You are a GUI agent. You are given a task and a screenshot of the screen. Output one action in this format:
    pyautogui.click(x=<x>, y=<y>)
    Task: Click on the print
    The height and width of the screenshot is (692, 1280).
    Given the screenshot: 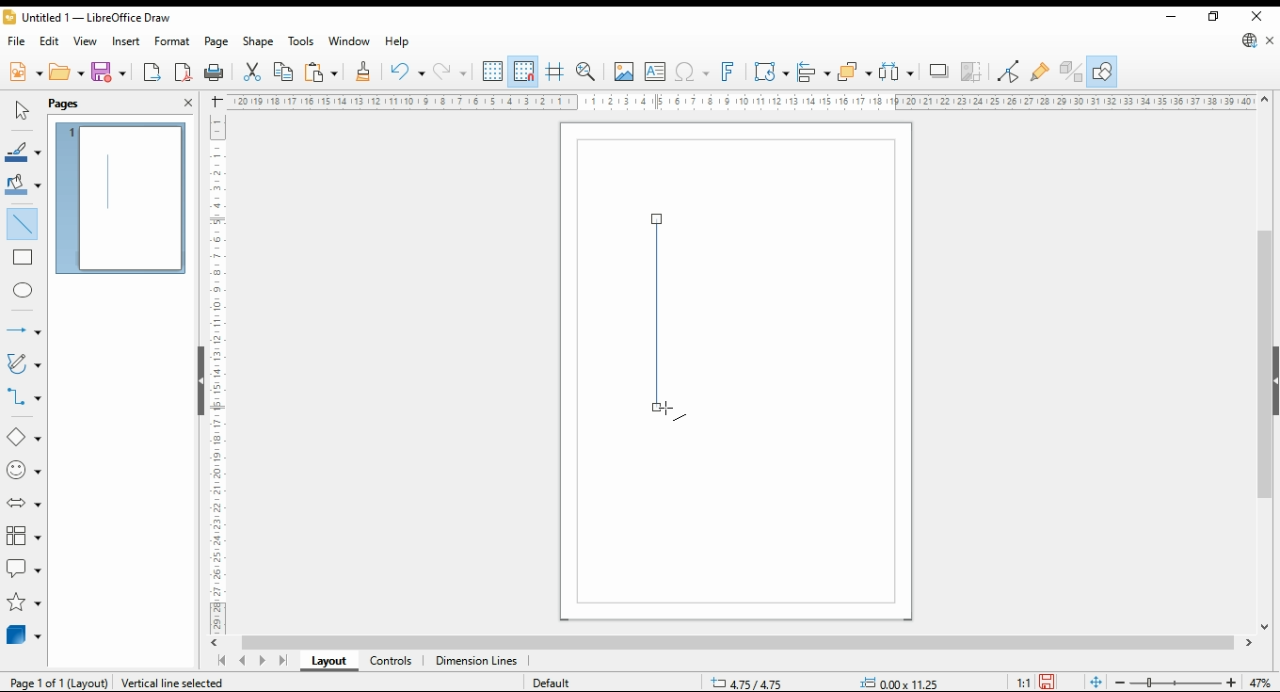 What is the action you would take?
    pyautogui.click(x=214, y=73)
    